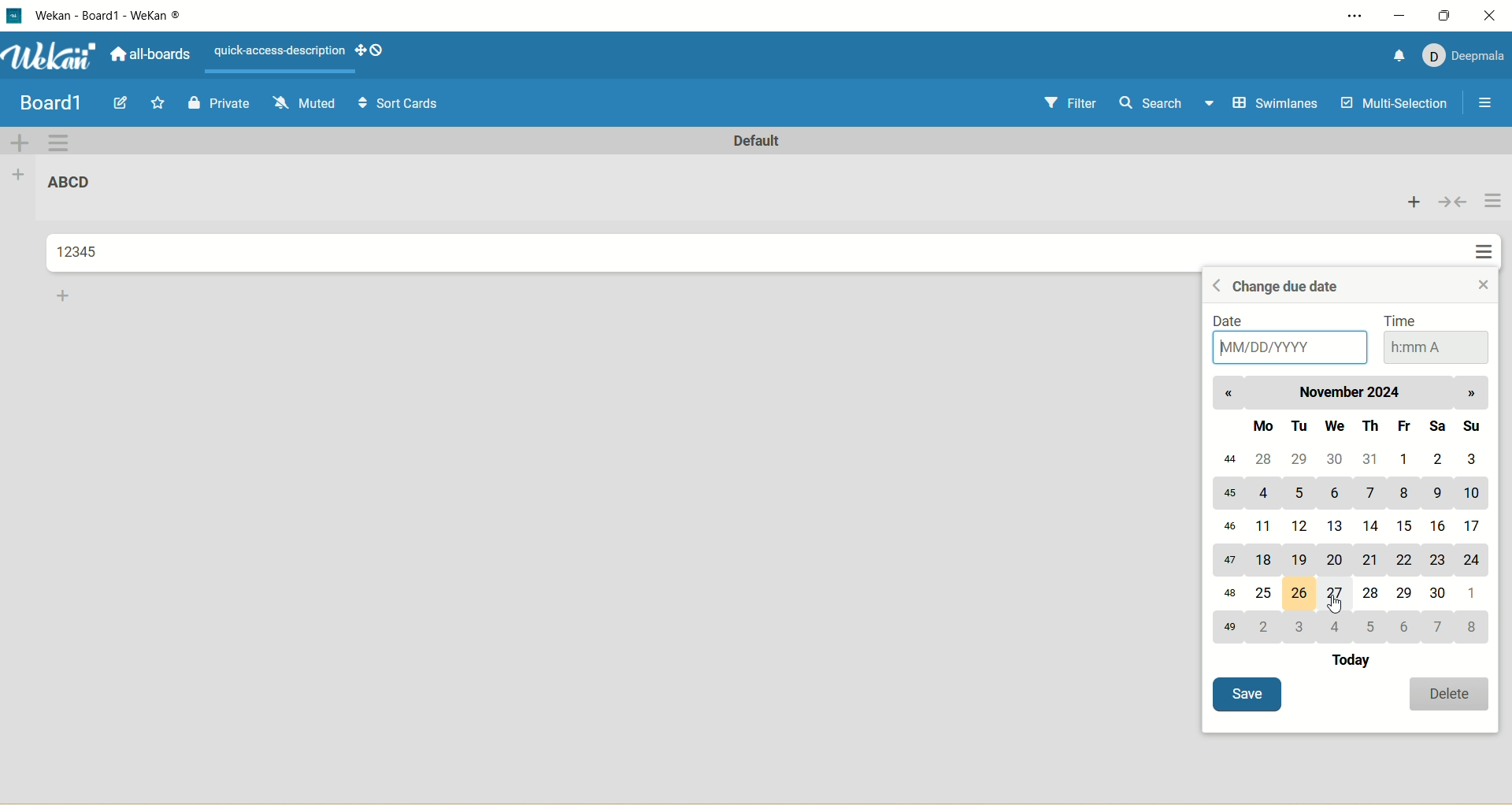 The width and height of the screenshot is (1512, 805). Describe the element at coordinates (1284, 338) in the screenshot. I see `date` at that location.